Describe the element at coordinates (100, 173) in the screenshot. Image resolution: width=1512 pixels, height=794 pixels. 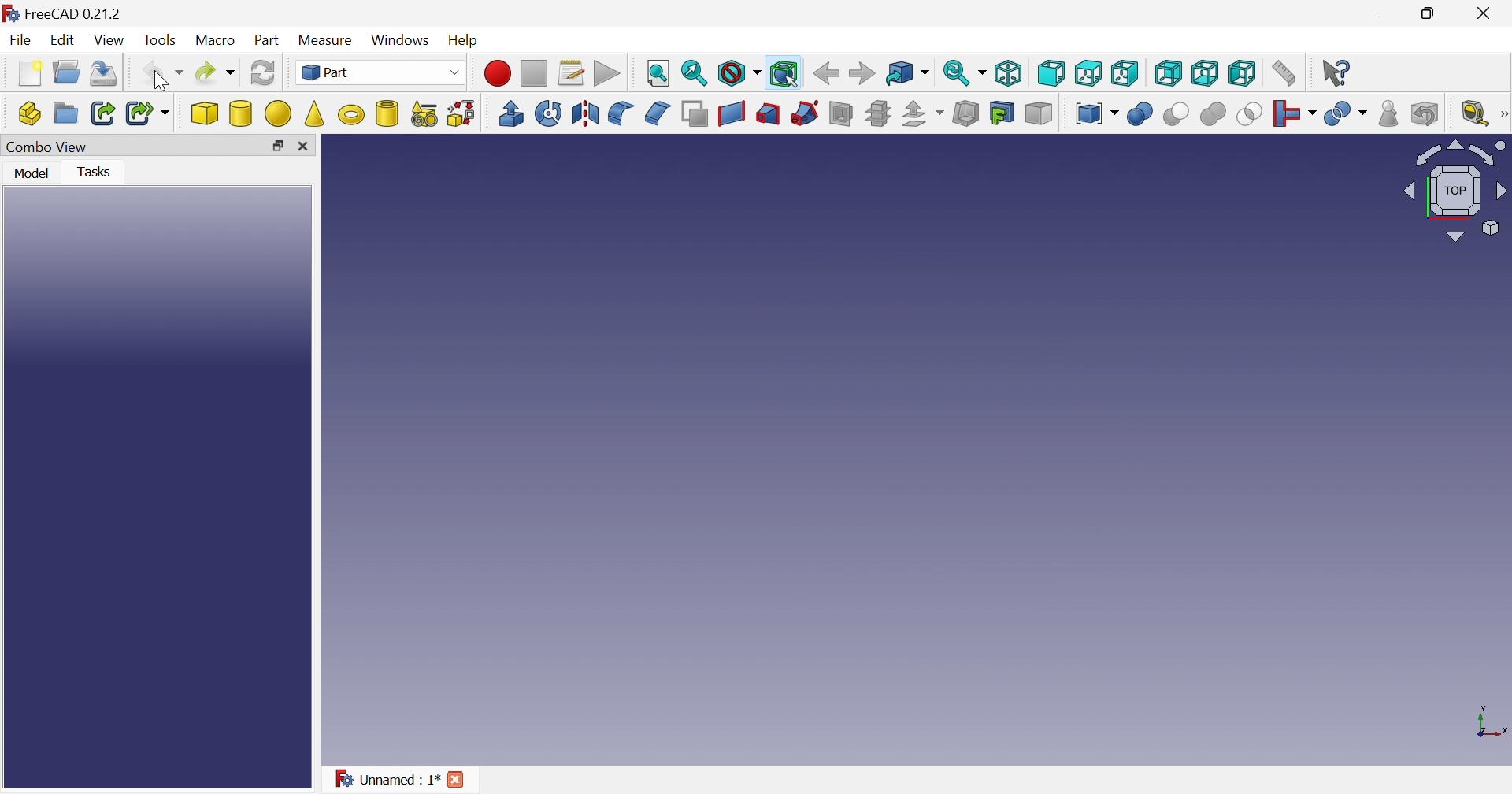
I see `Tasks` at that location.